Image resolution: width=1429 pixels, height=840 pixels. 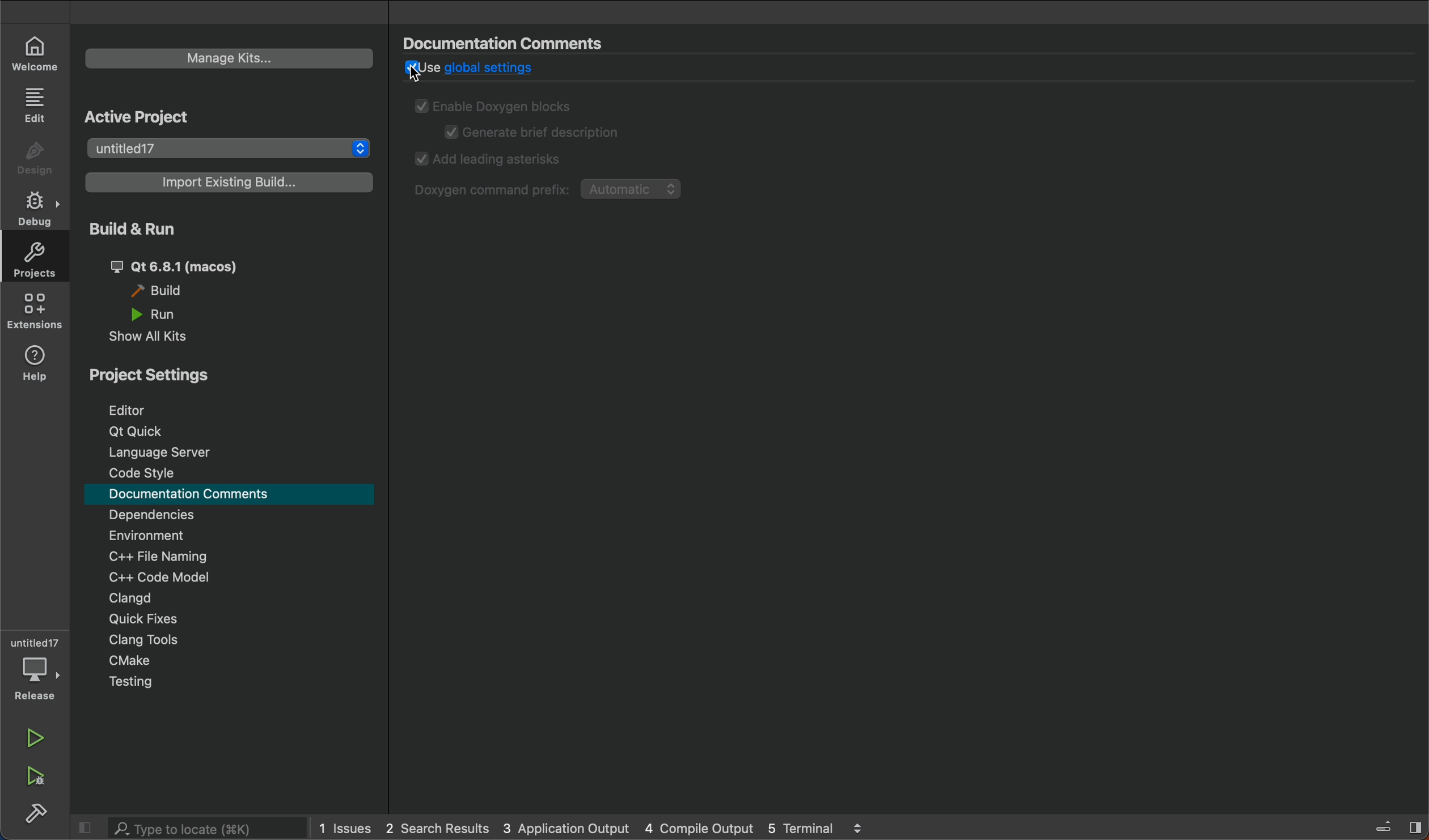 What do you see at coordinates (520, 71) in the screenshot?
I see `global settings` at bounding box center [520, 71].